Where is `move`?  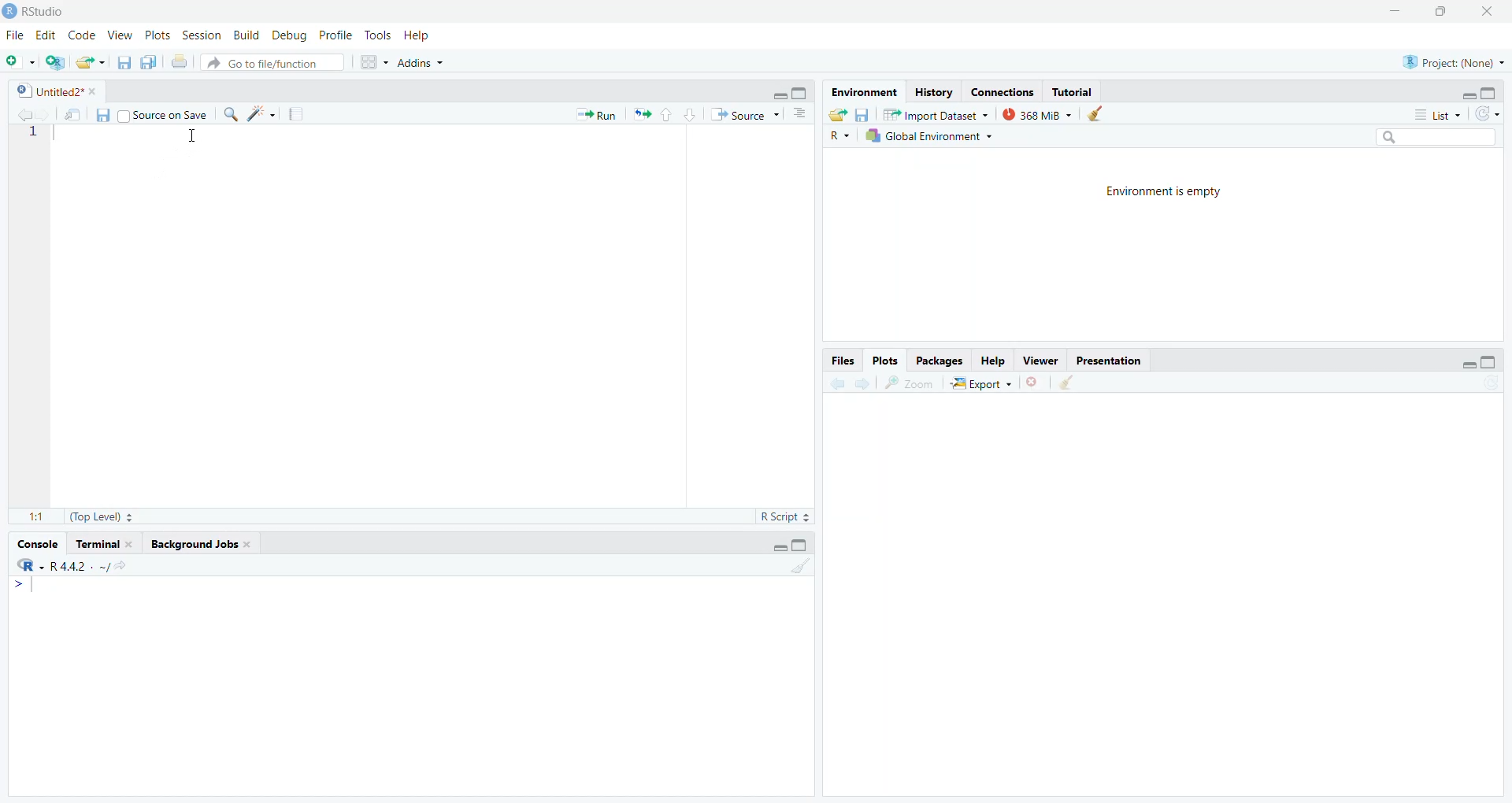
move is located at coordinates (74, 116).